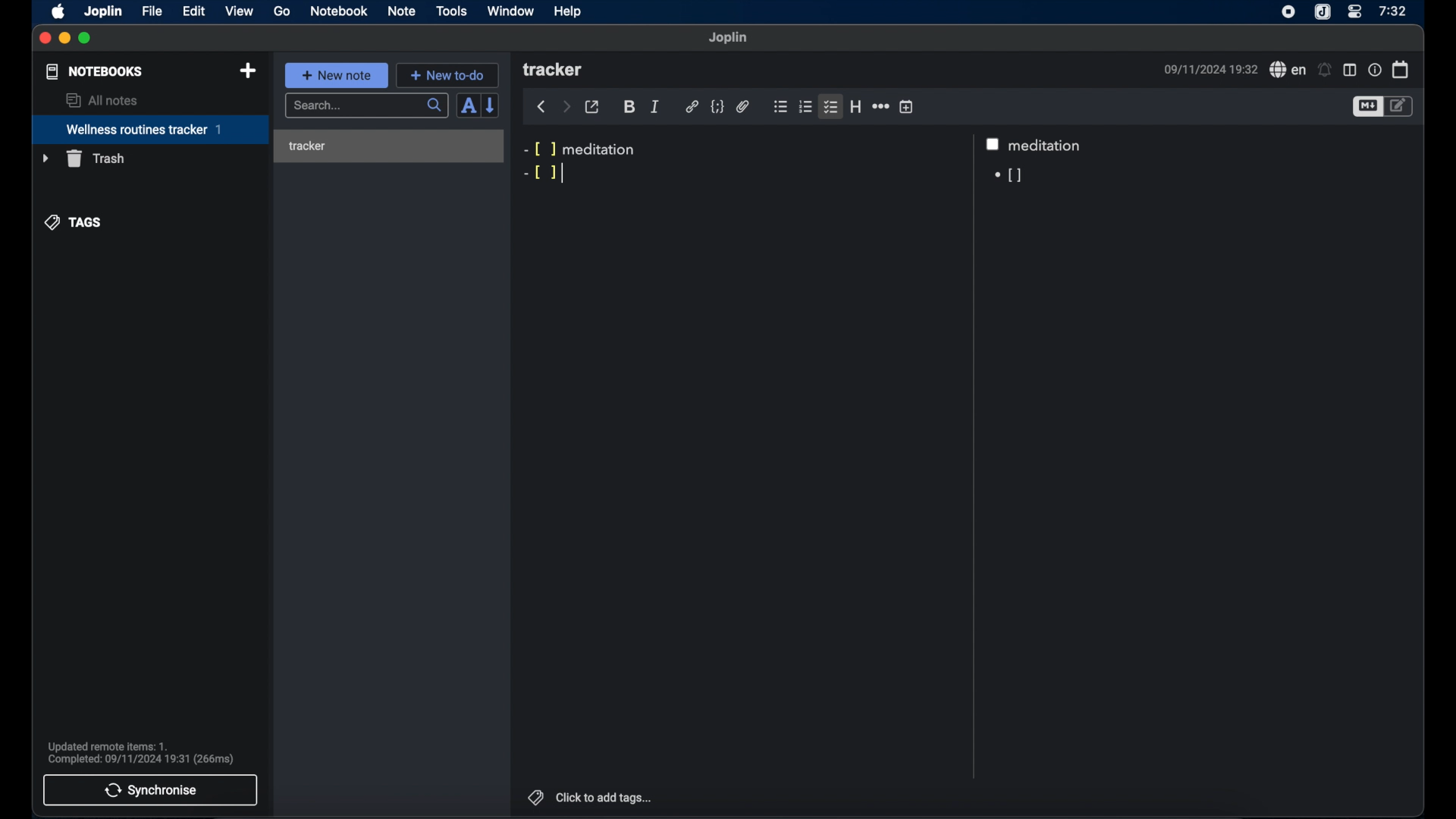 This screenshot has height=819, width=1456. Describe the element at coordinates (149, 130) in the screenshot. I see `wellness routines tracker 1` at that location.